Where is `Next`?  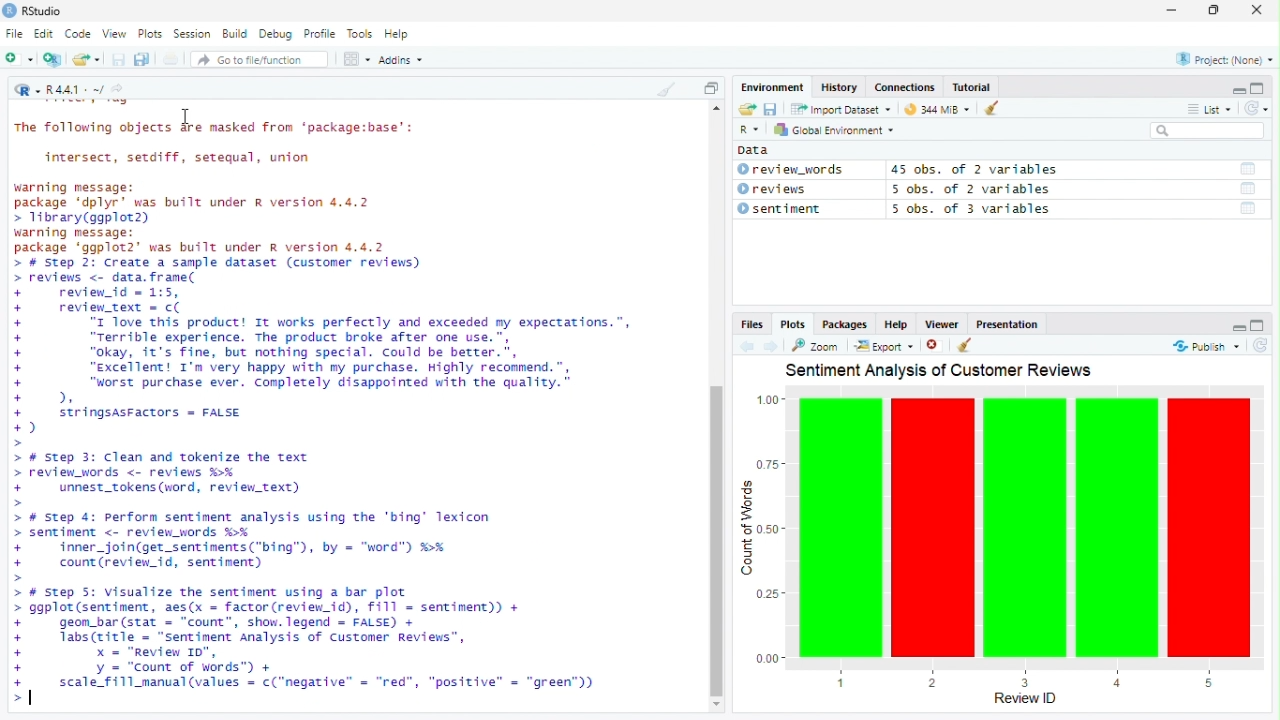
Next is located at coordinates (771, 347).